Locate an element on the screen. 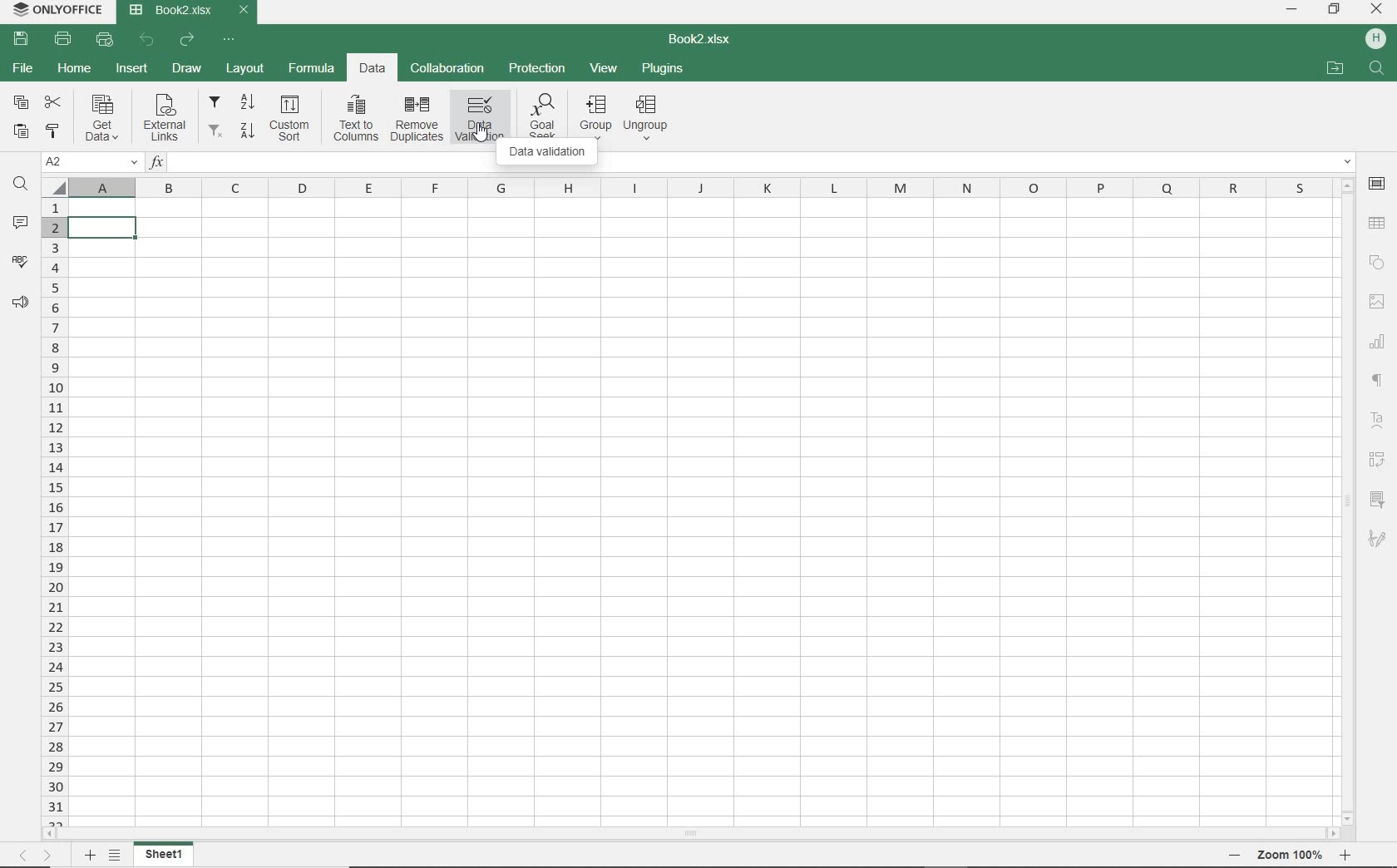 The height and width of the screenshot is (868, 1397). remove duplicates is located at coordinates (418, 116).